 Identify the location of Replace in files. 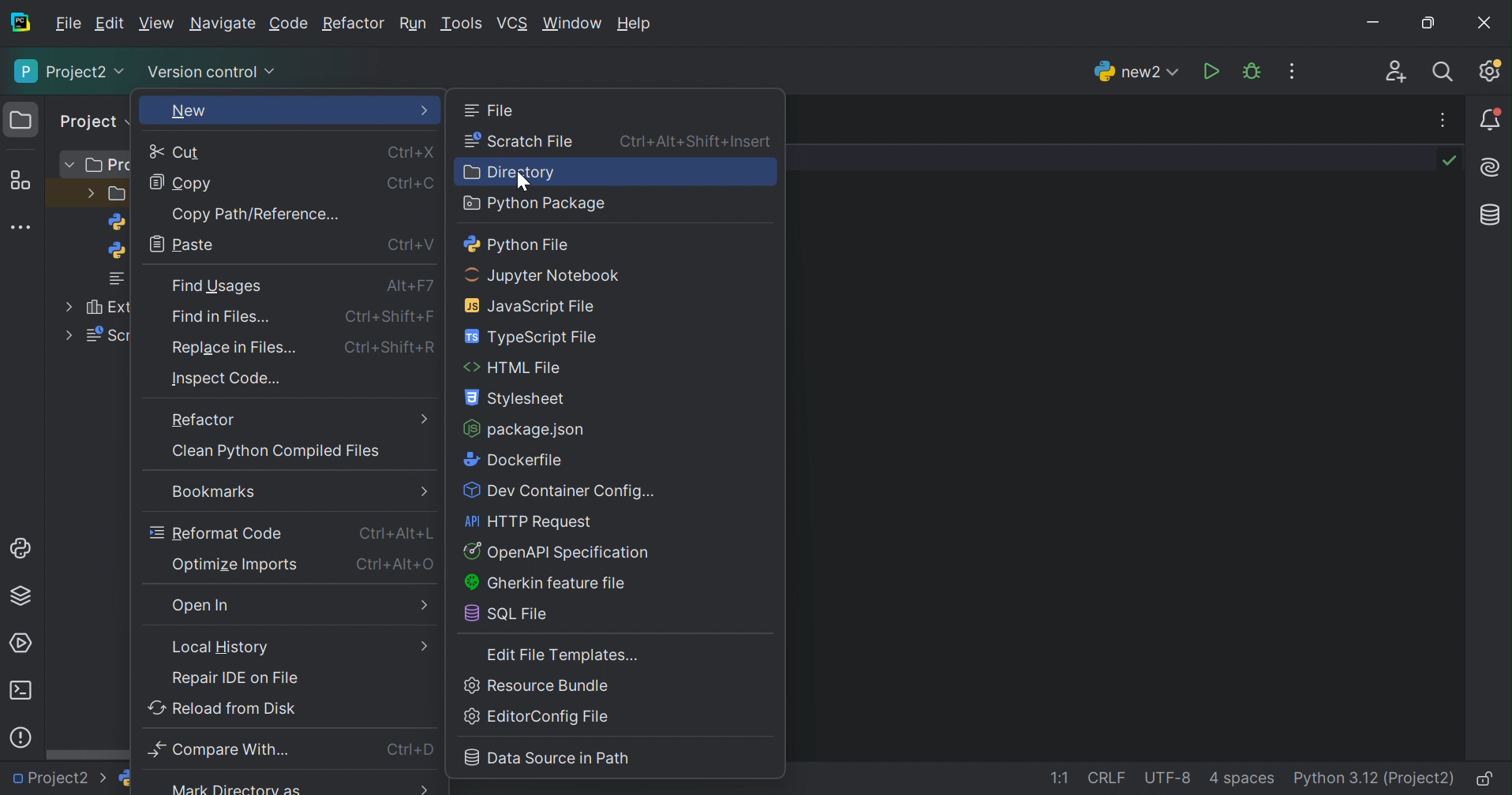
(235, 348).